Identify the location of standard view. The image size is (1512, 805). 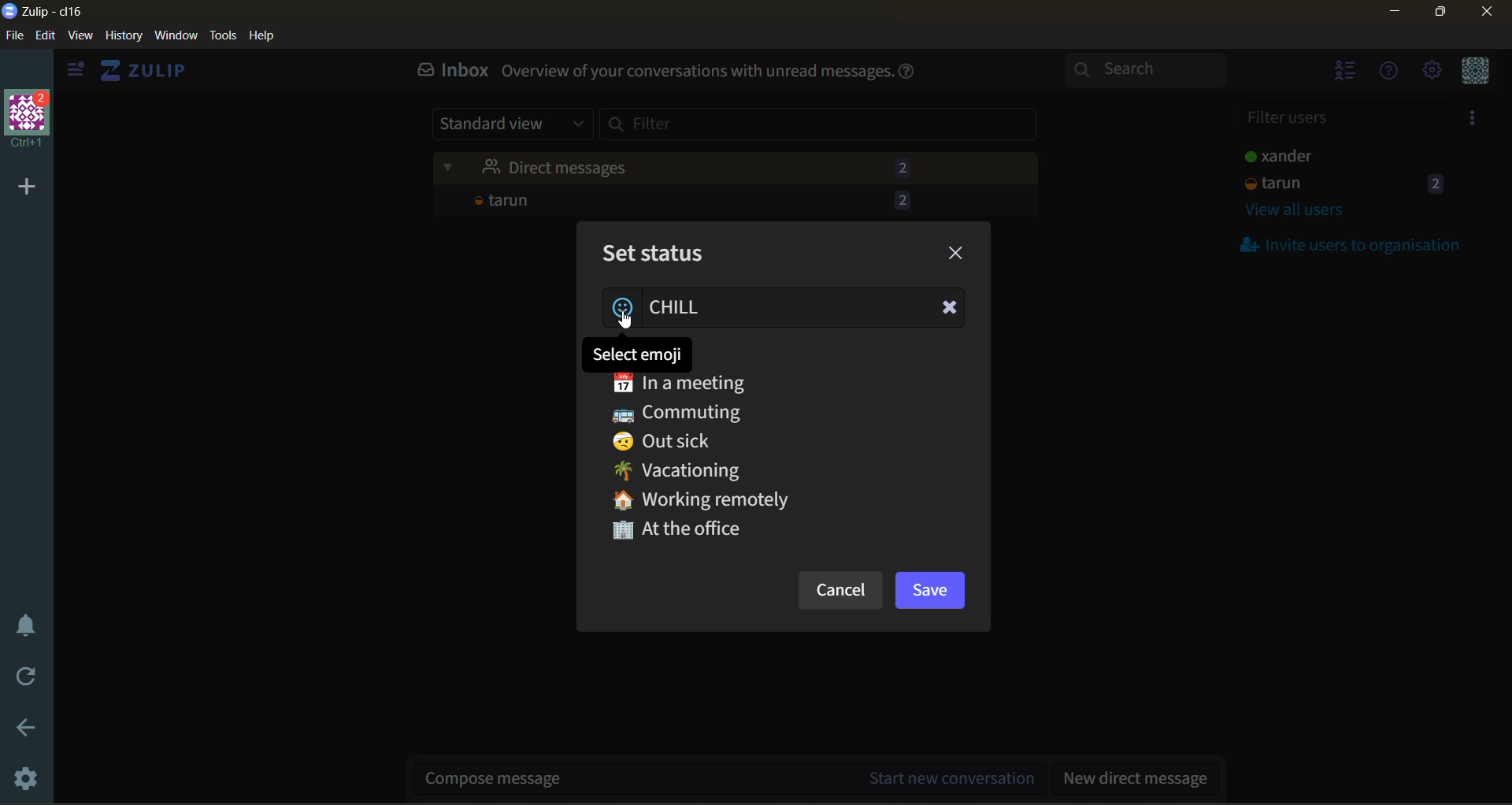
(510, 124).